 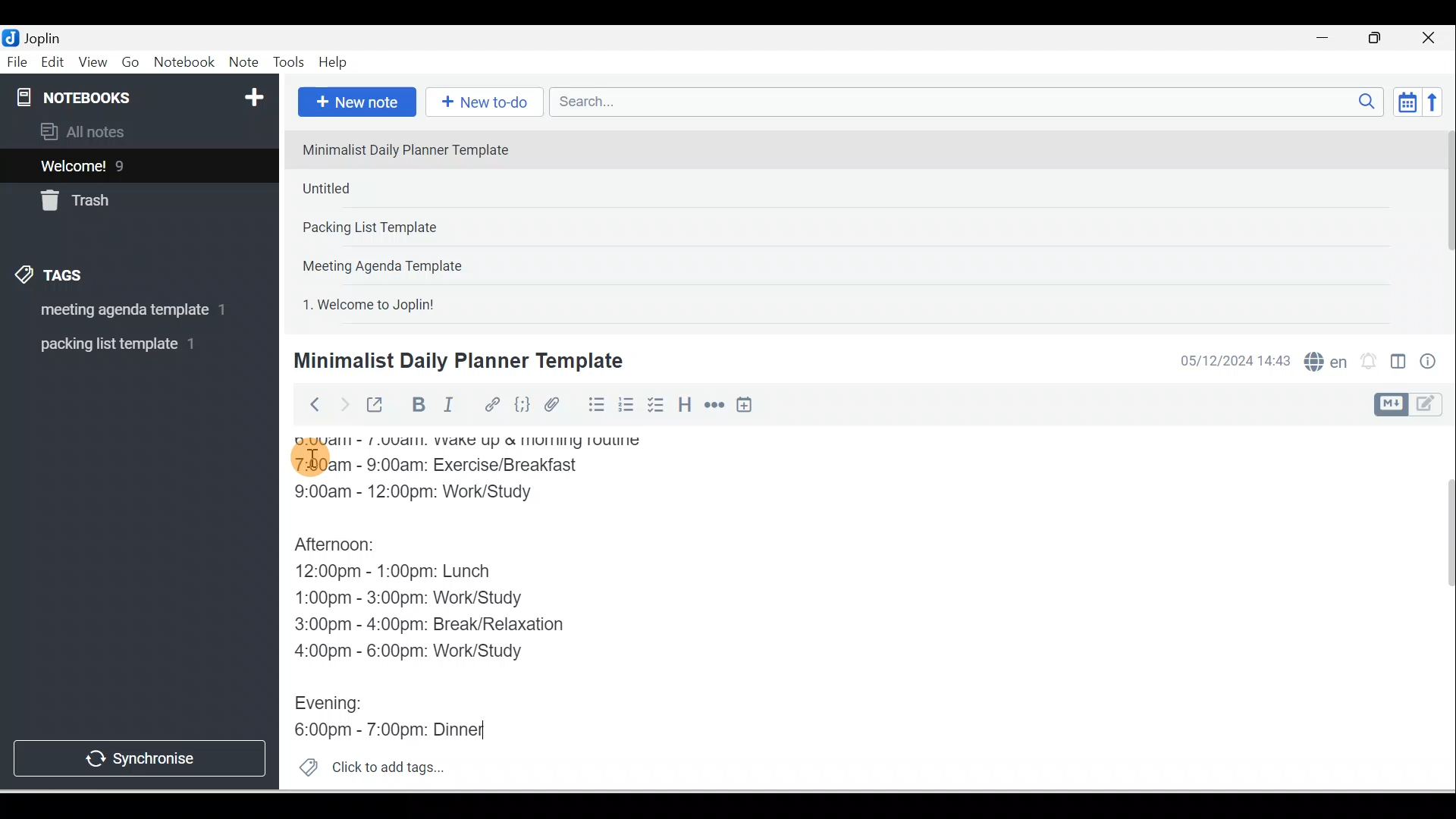 I want to click on 6:00am - 7:00am: Wake up & morning routine, so click(x=480, y=441).